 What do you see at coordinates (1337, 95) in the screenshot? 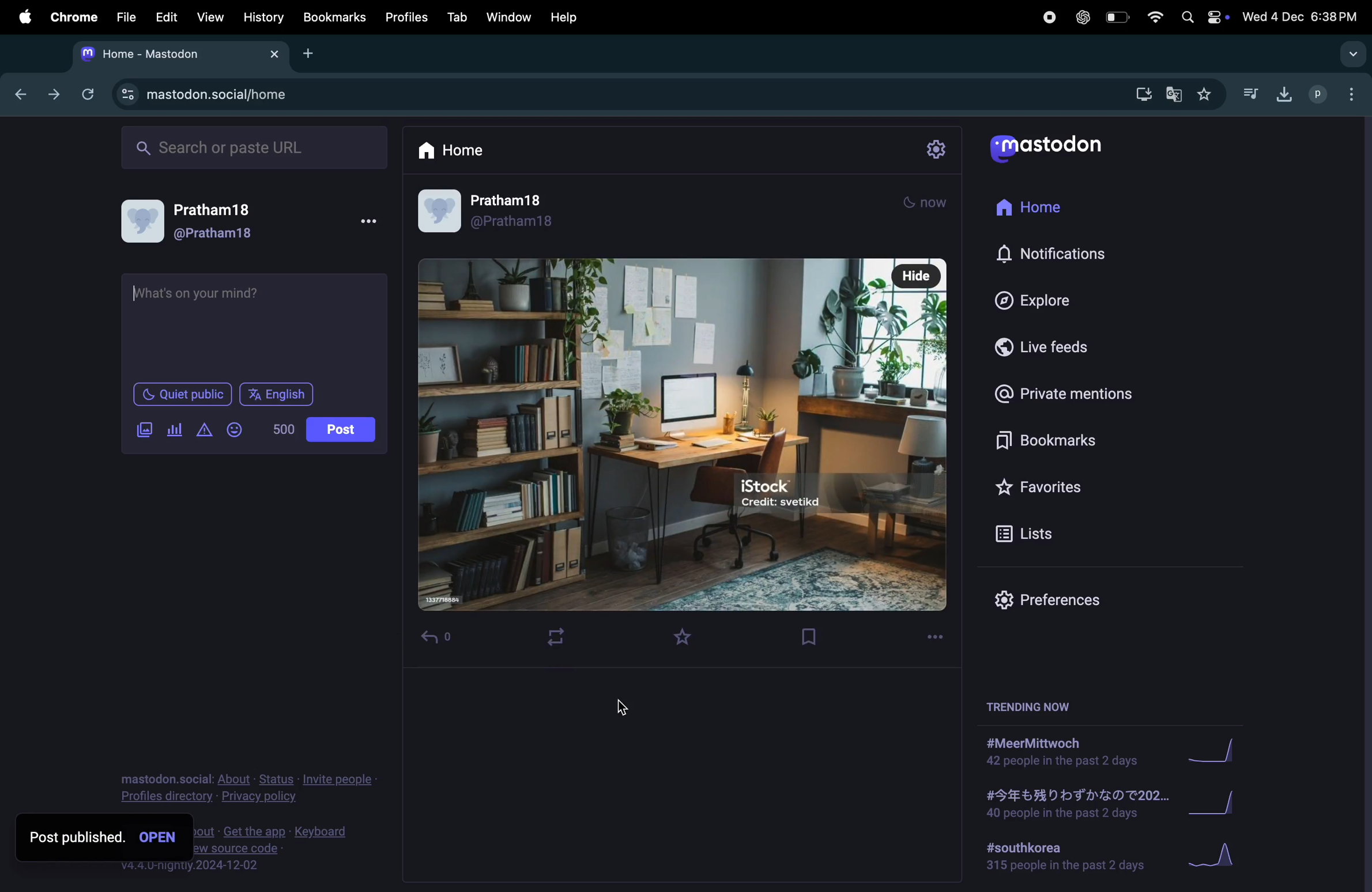
I see `userprofile` at bounding box center [1337, 95].